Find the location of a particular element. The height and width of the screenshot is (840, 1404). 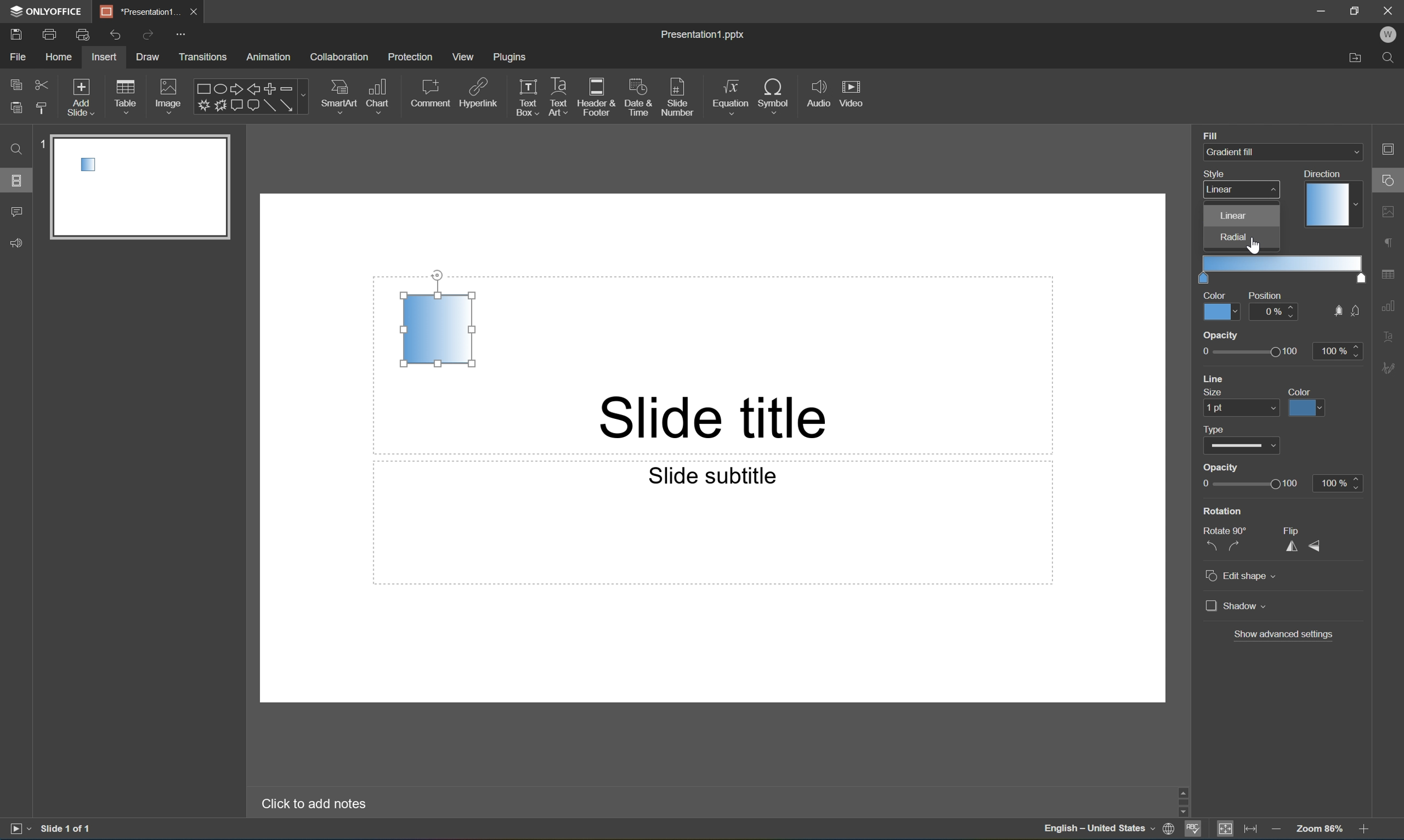

Rectangle is located at coordinates (201, 89).